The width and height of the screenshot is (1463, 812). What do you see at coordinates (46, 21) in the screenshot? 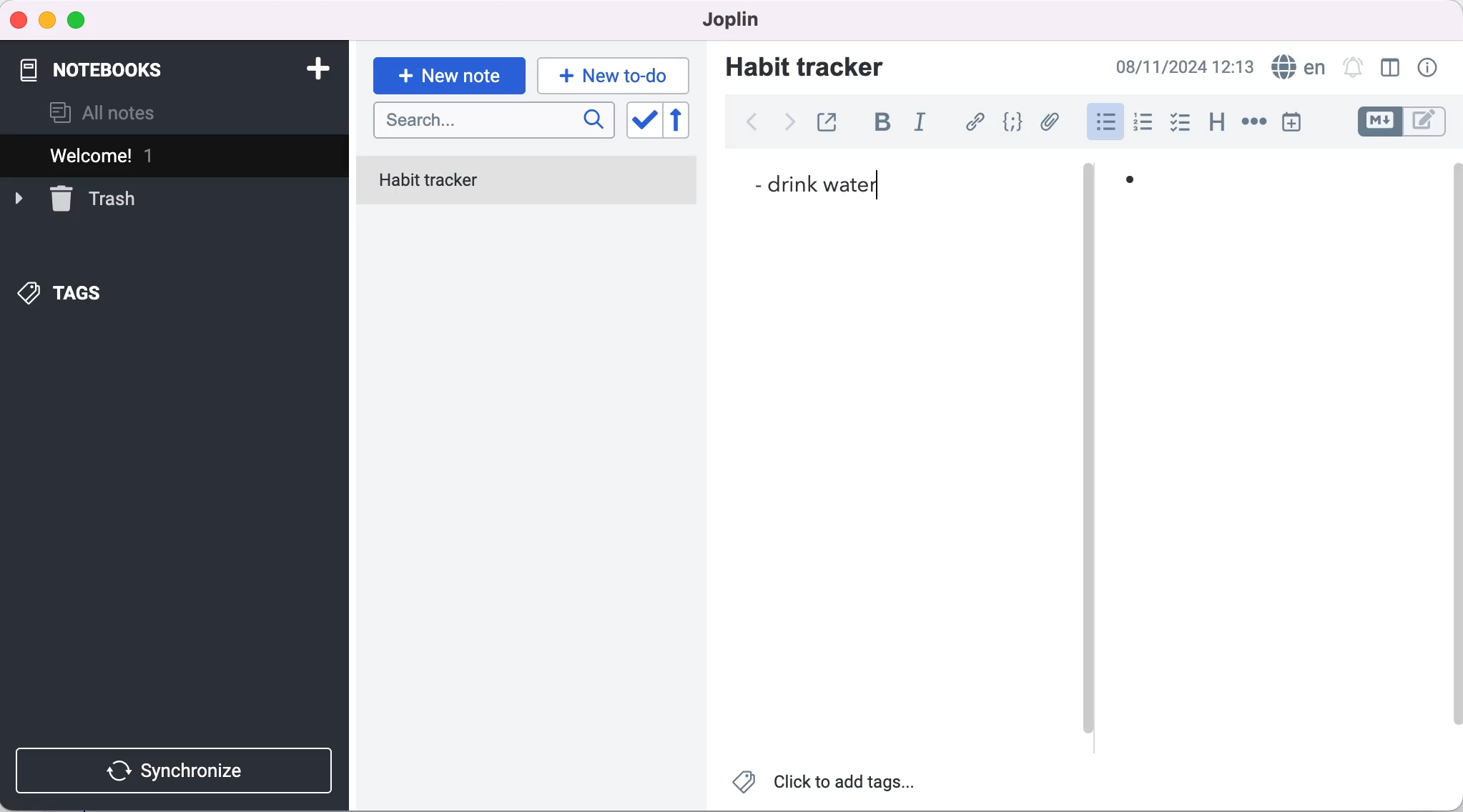
I see `minimize` at bounding box center [46, 21].